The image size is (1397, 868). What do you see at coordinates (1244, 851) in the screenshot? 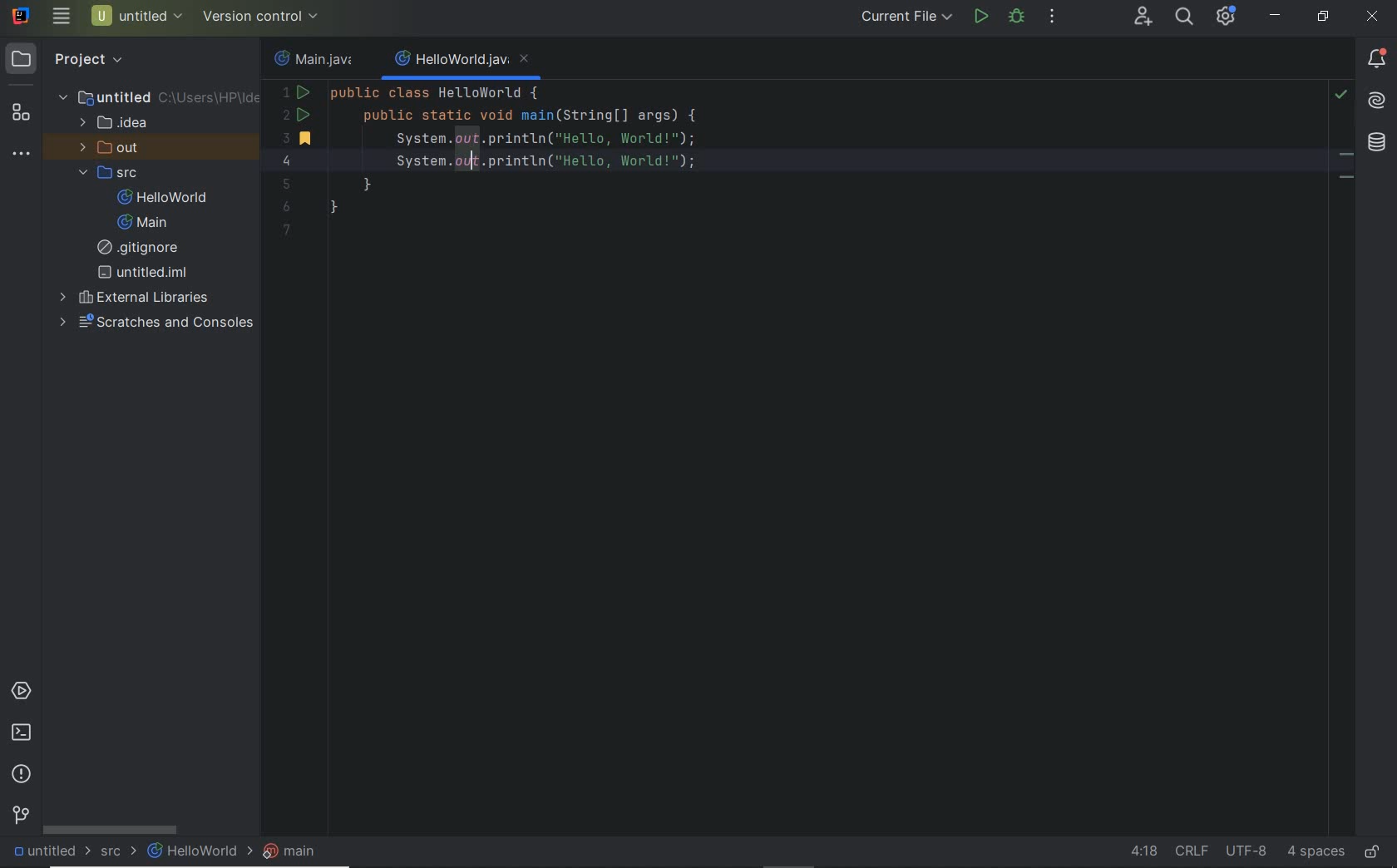
I see `UTF-8(file encoding)` at bounding box center [1244, 851].